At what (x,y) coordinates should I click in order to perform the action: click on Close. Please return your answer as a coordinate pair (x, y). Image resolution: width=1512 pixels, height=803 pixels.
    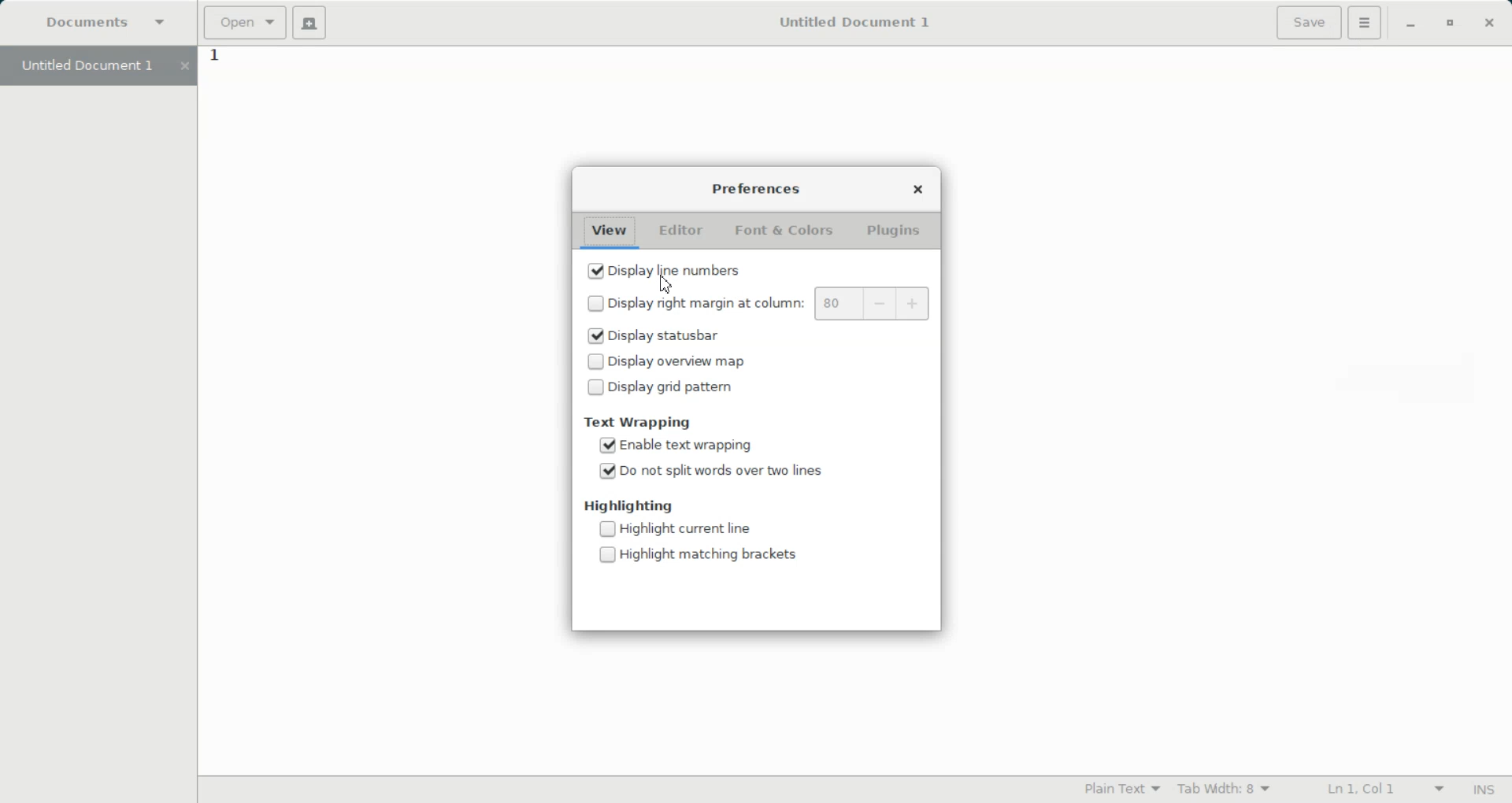
    Looking at the image, I should click on (913, 187).